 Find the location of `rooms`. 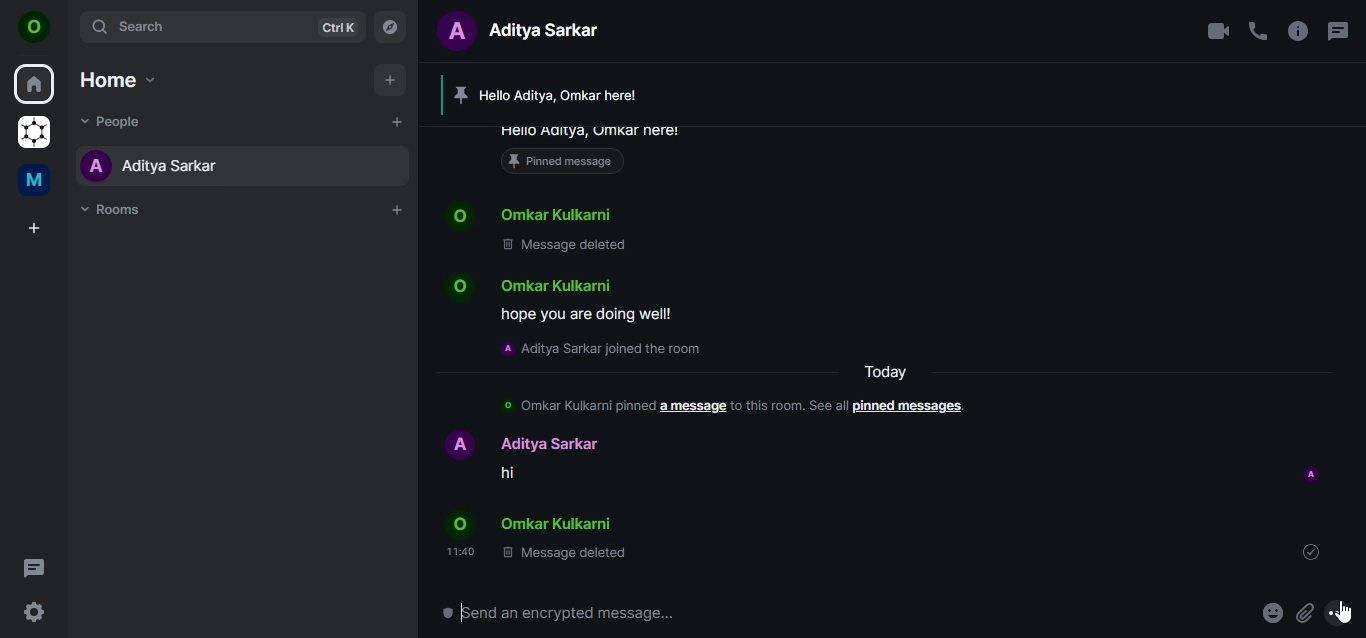

rooms is located at coordinates (117, 210).